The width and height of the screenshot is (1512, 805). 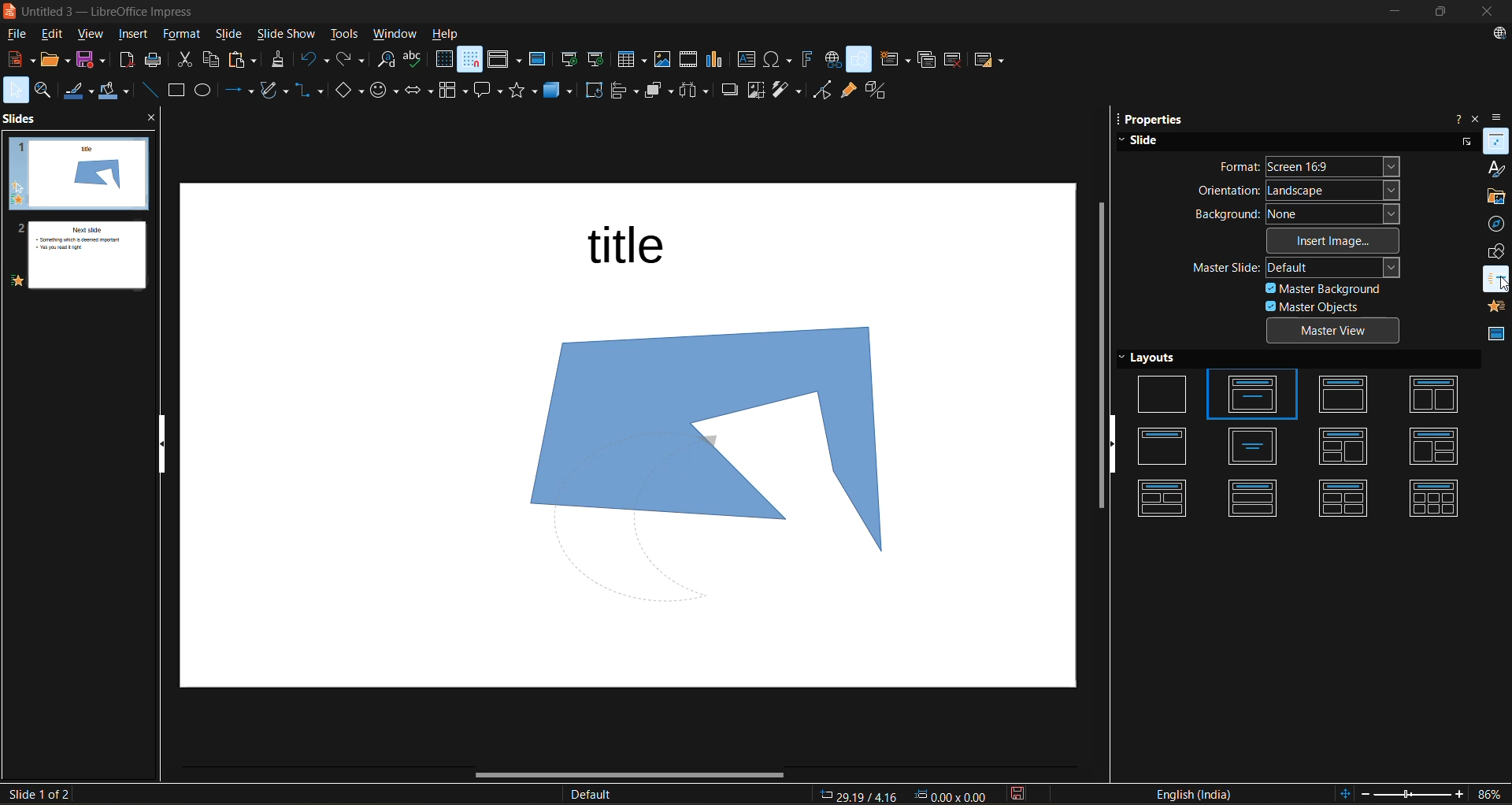 I want to click on vertical scroll bar, so click(x=1099, y=360).